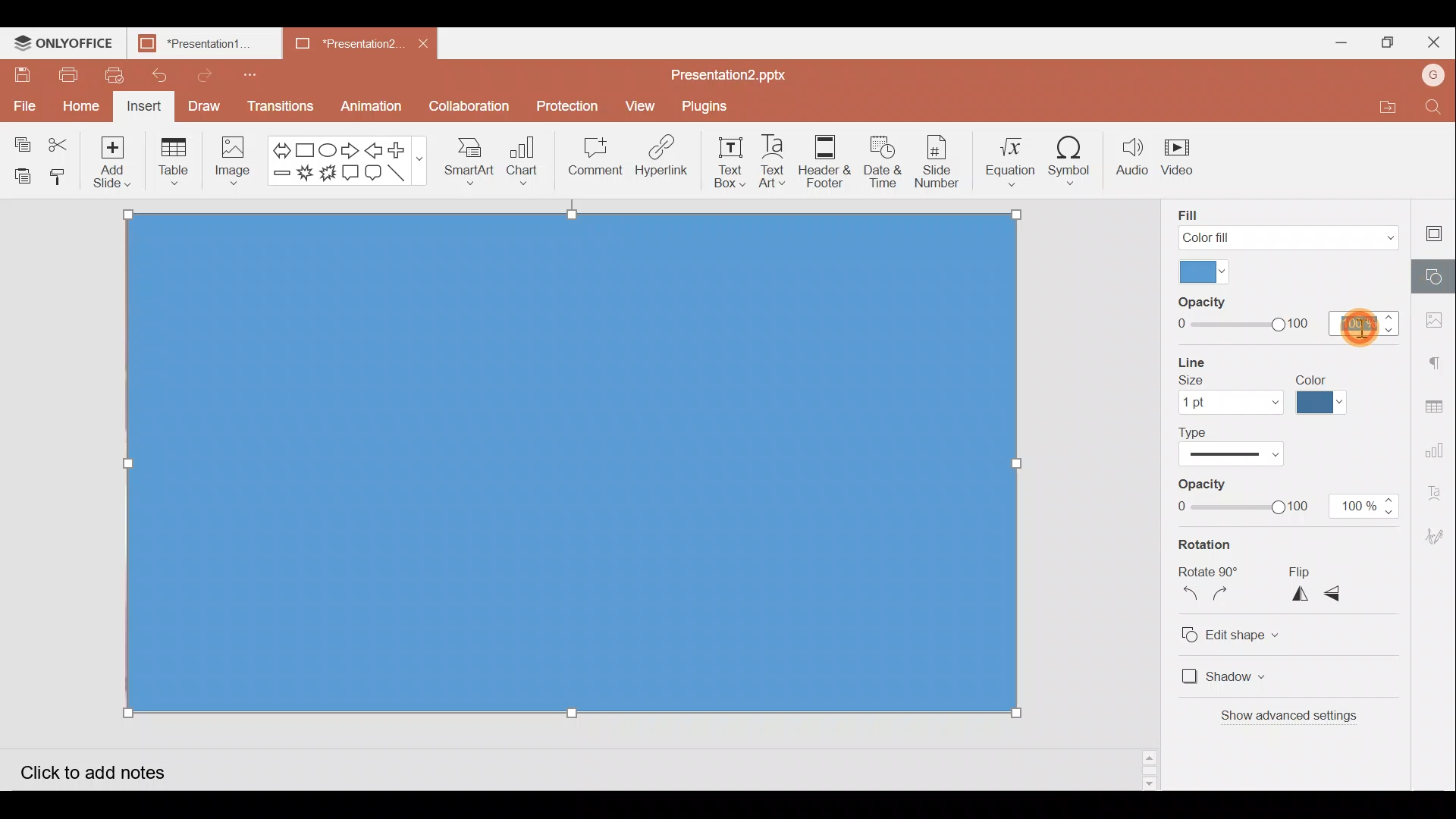  Describe the element at coordinates (402, 150) in the screenshot. I see `Plus` at that location.